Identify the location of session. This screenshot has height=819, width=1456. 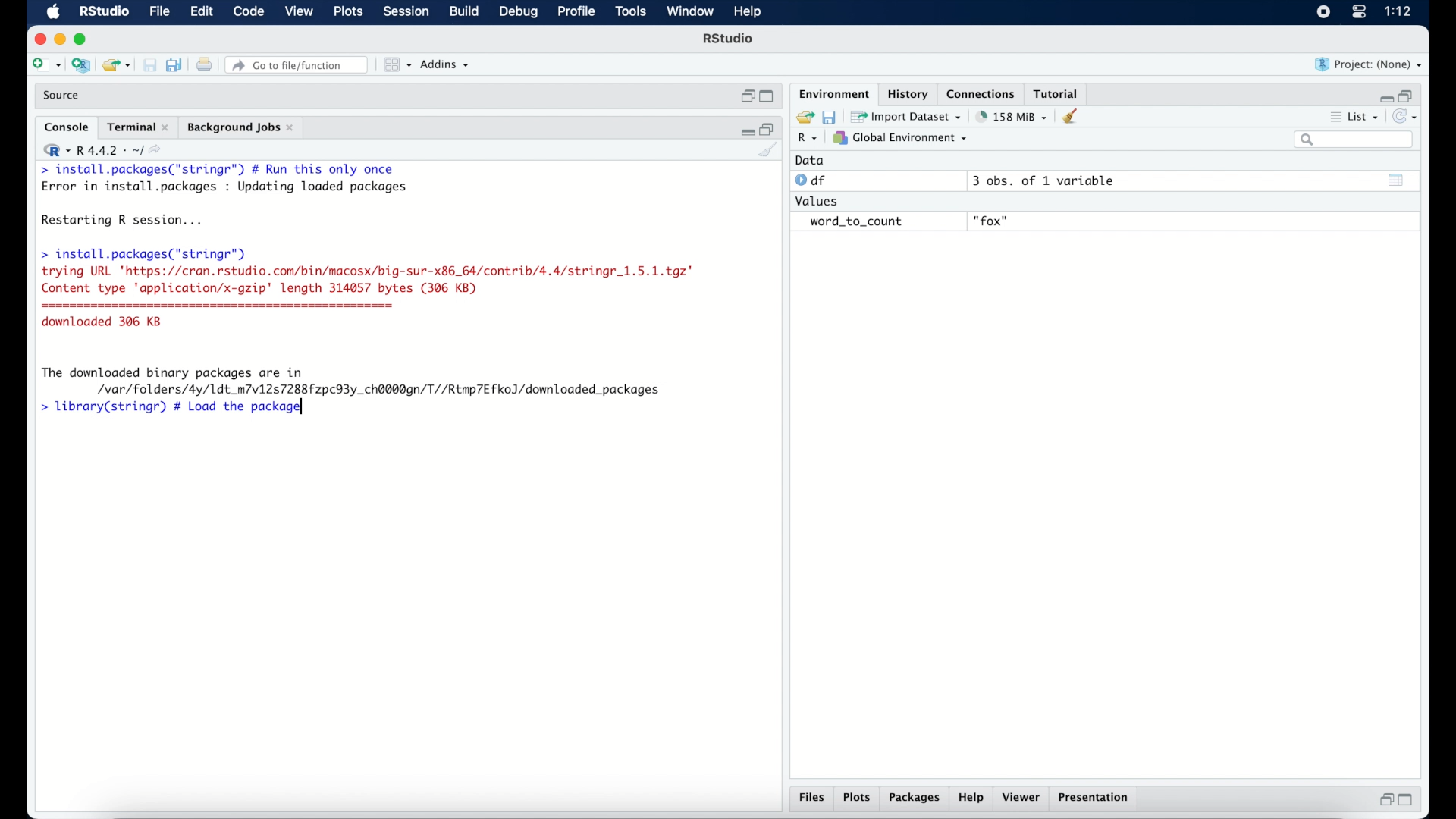
(405, 12).